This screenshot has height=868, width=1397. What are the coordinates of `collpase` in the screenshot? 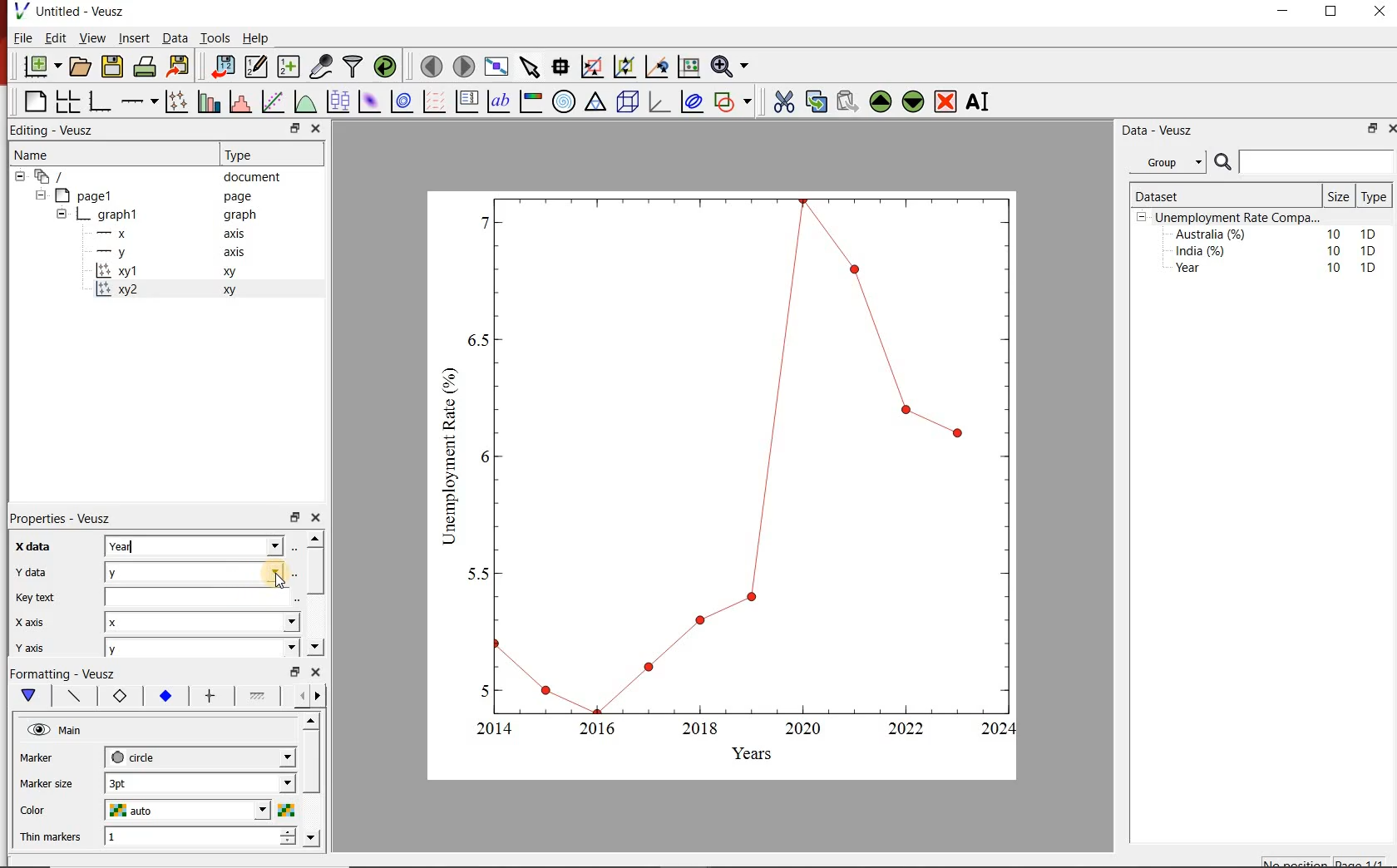 It's located at (1142, 218).